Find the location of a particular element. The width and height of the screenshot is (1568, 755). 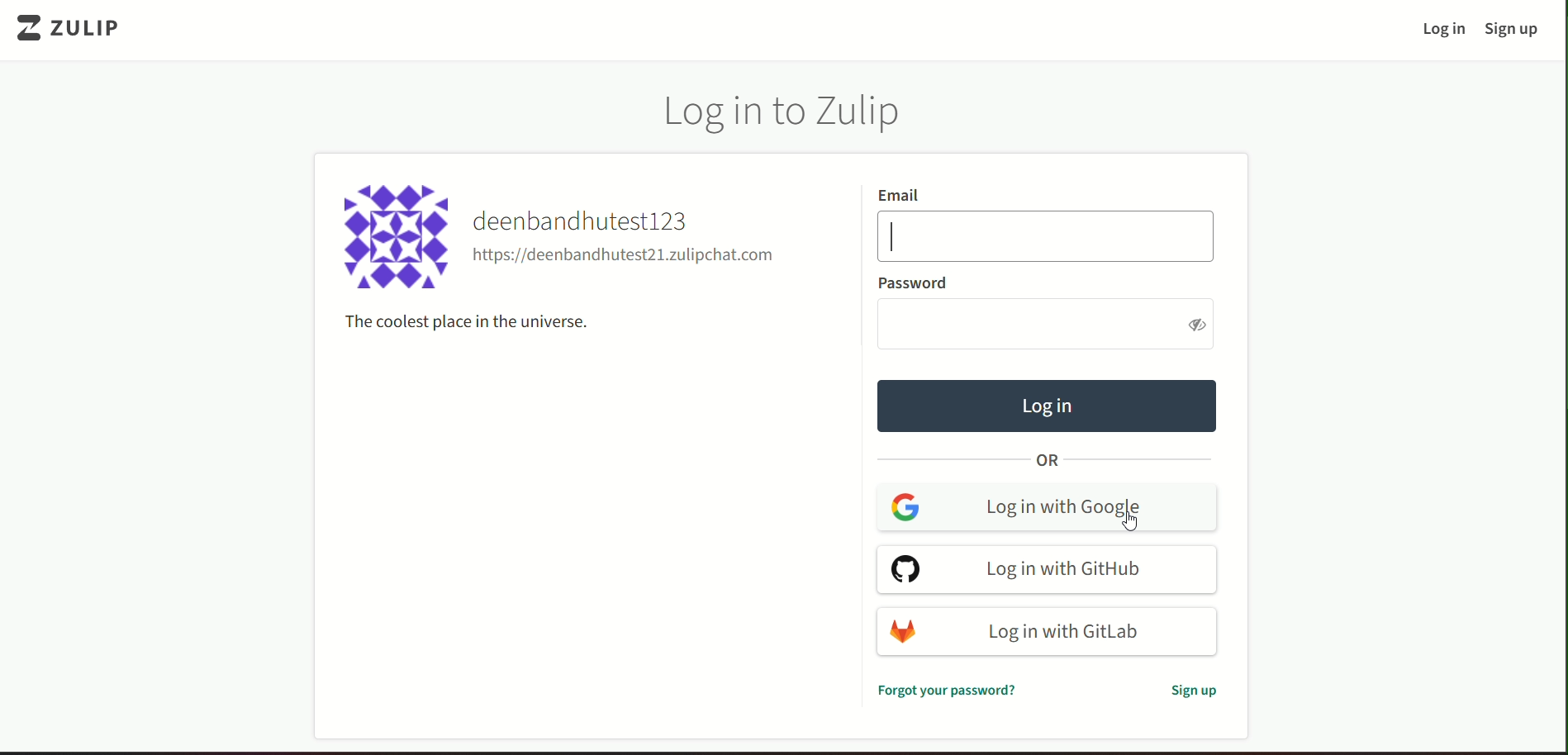

logo and title is located at coordinates (77, 30).